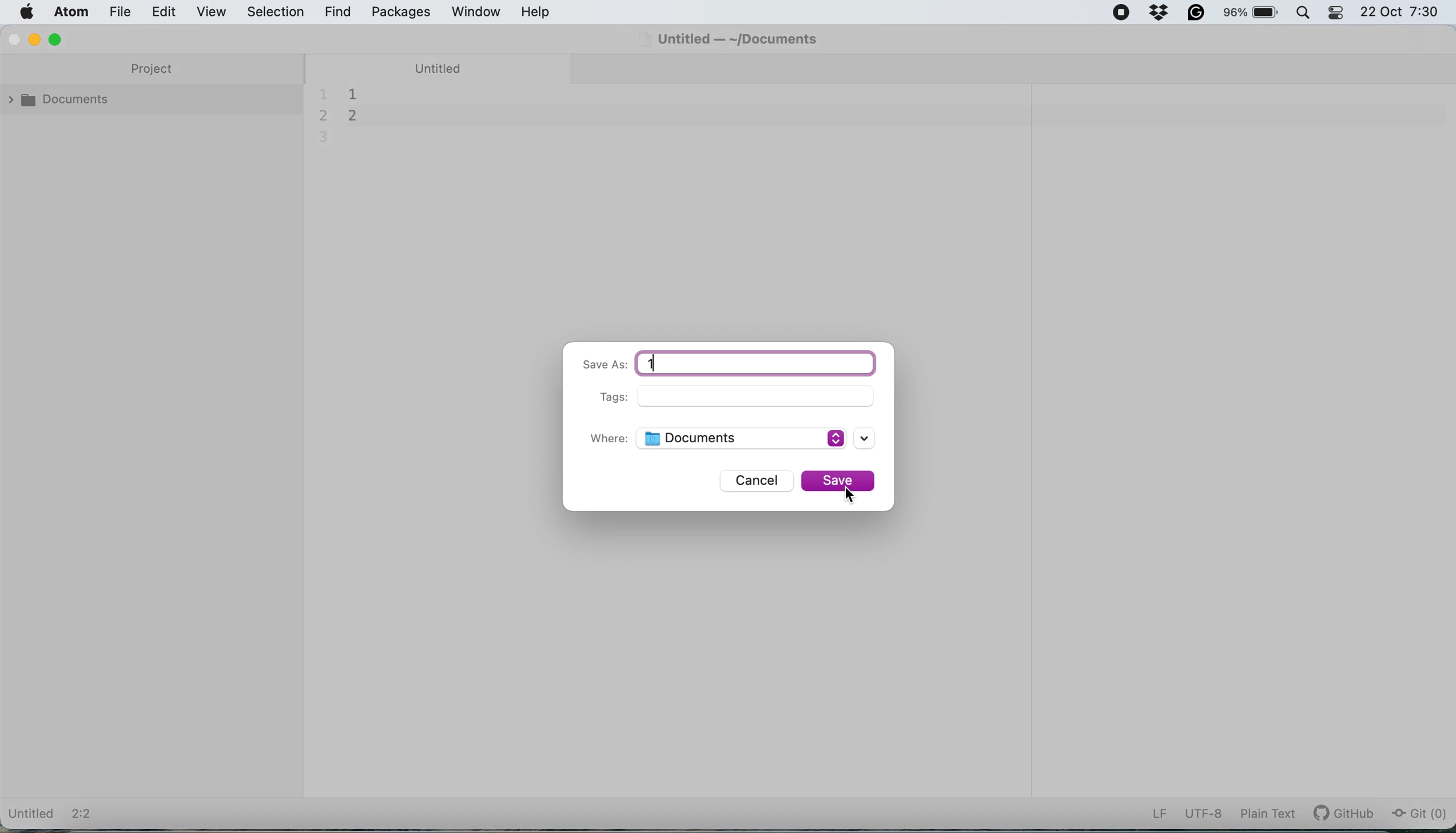 The image size is (1456, 833). I want to click on git hub, so click(1345, 814).